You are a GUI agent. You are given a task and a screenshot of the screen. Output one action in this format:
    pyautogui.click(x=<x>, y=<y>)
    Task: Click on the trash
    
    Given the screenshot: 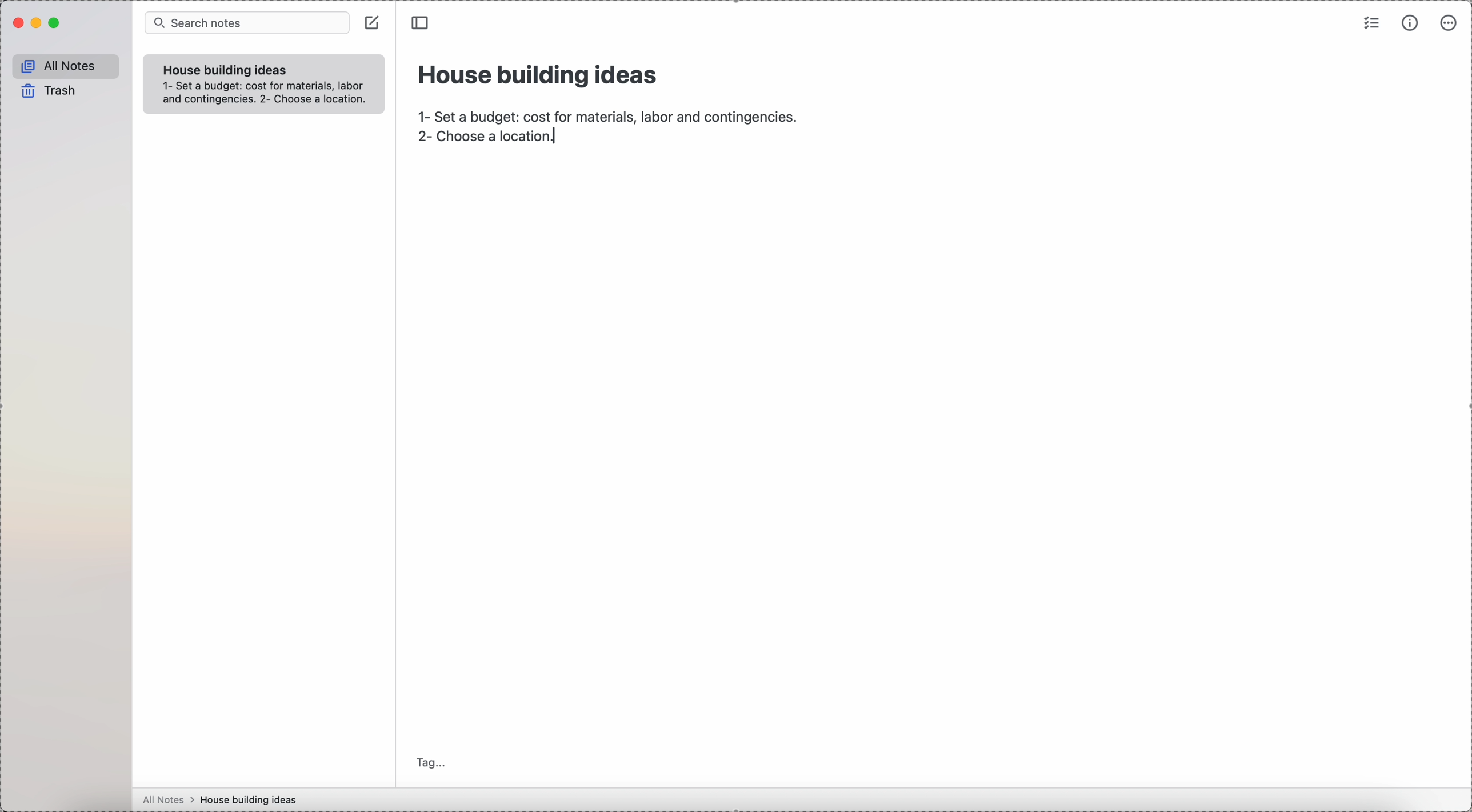 What is the action you would take?
    pyautogui.click(x=47, y=91)
    